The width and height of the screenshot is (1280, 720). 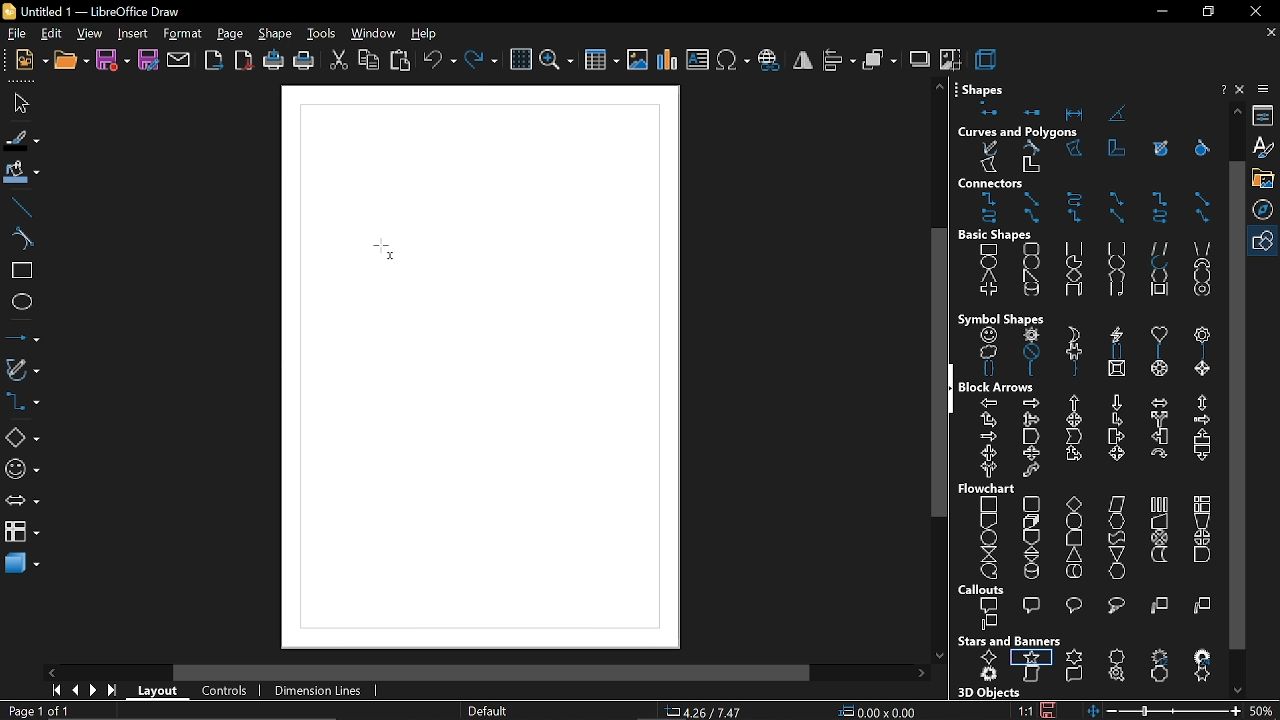 I want to click on block arrows, so click(x=1000, y=388).